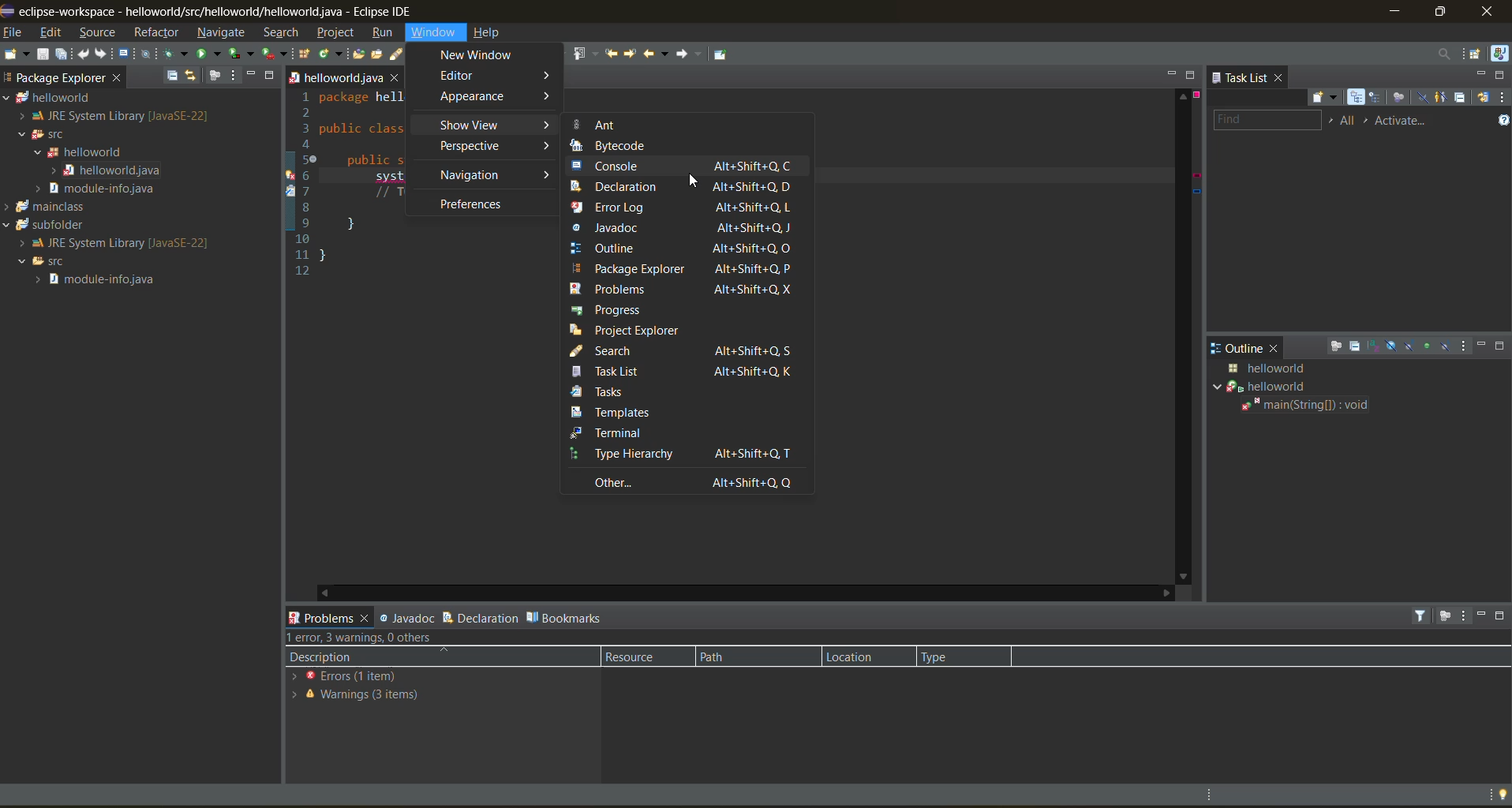 The height and width of the screenshot is (808, 1512). What do you see at coordinates (358, 182) in the screenshot?
I see `1 package hell 2 3 public class 4 5 public 6 system 7 // T 89} 10 11} 12` at bounding box center [358, 182].